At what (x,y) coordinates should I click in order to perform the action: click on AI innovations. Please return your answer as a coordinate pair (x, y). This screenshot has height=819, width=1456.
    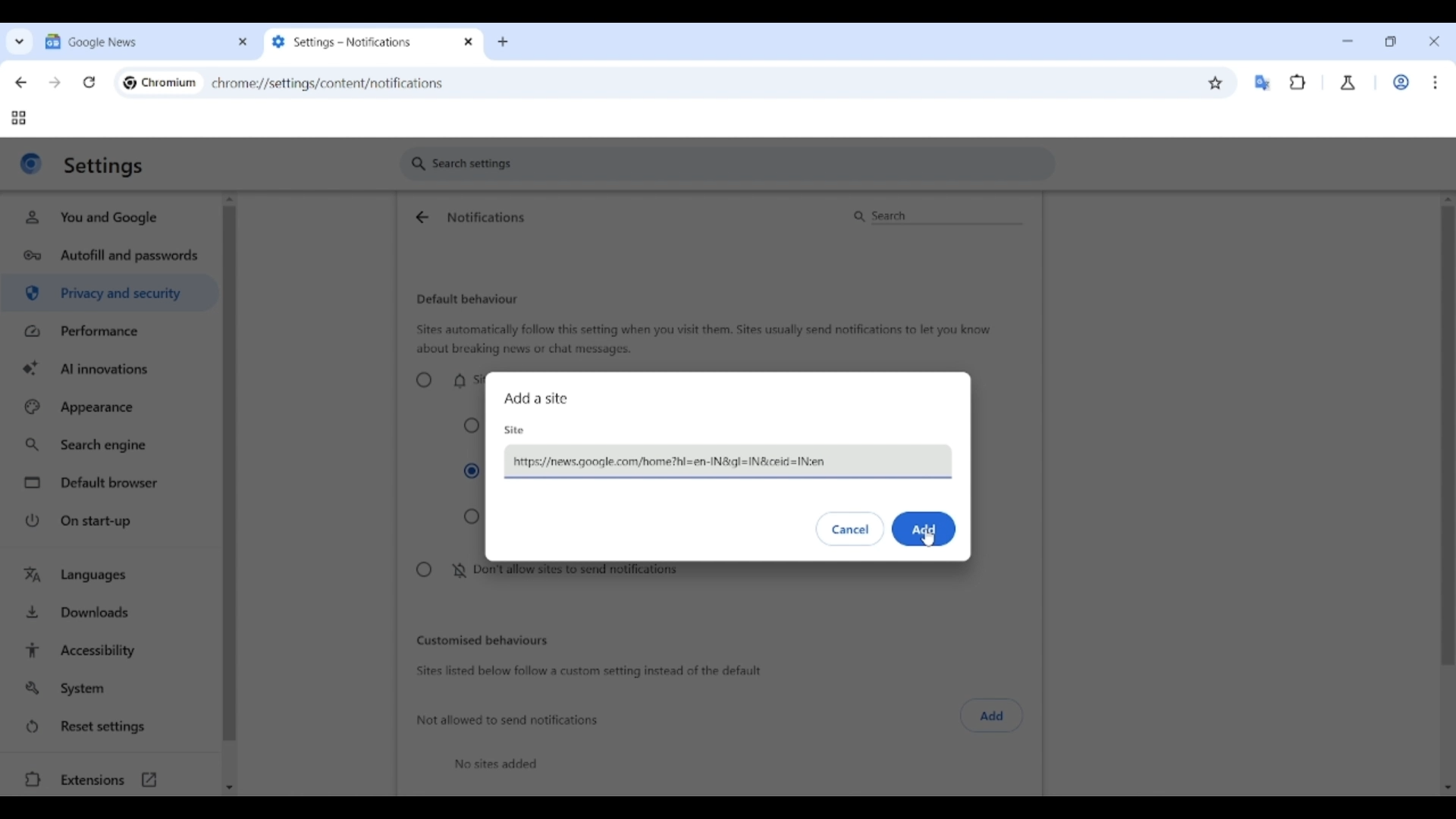
    Looking at the image, I should click on (111, 367).